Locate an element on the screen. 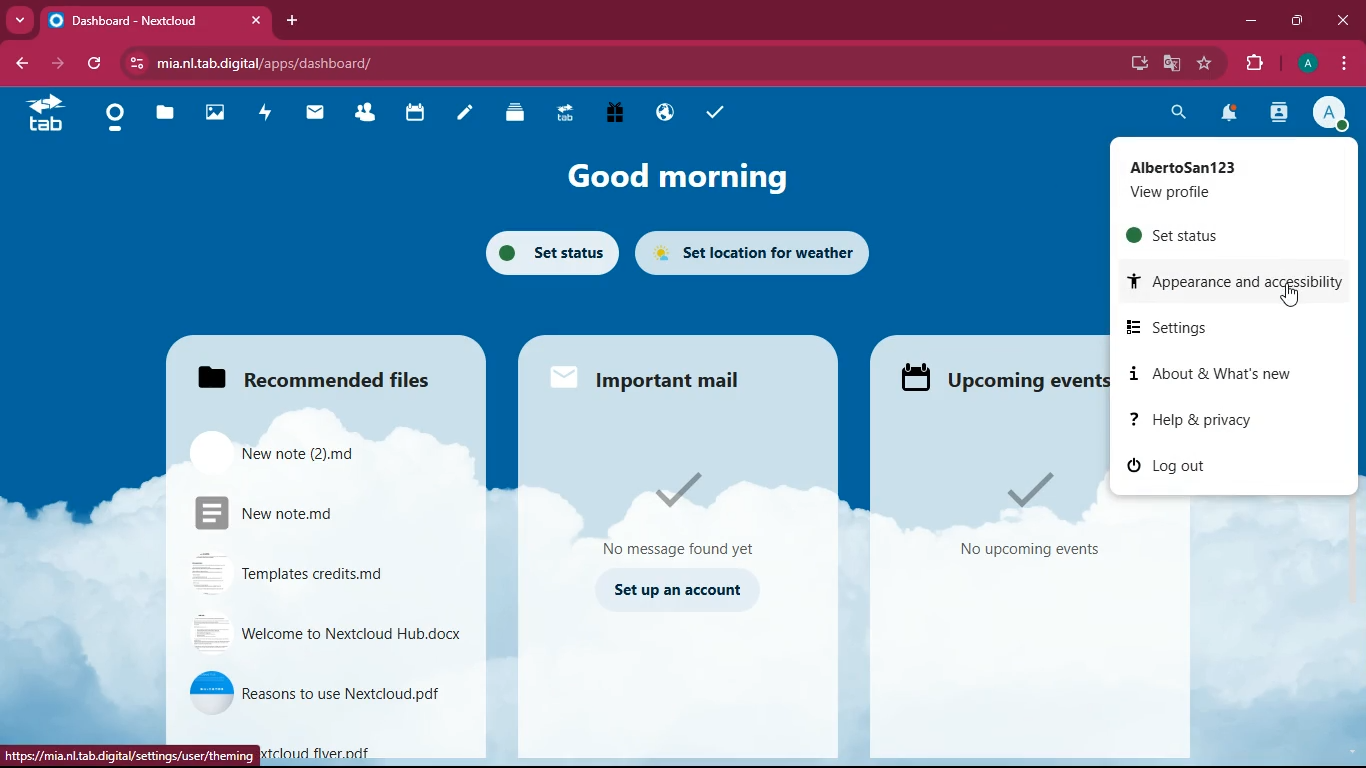 The width and height of the screenshot is (1366, 768). file is located at coordinates (324, 636).